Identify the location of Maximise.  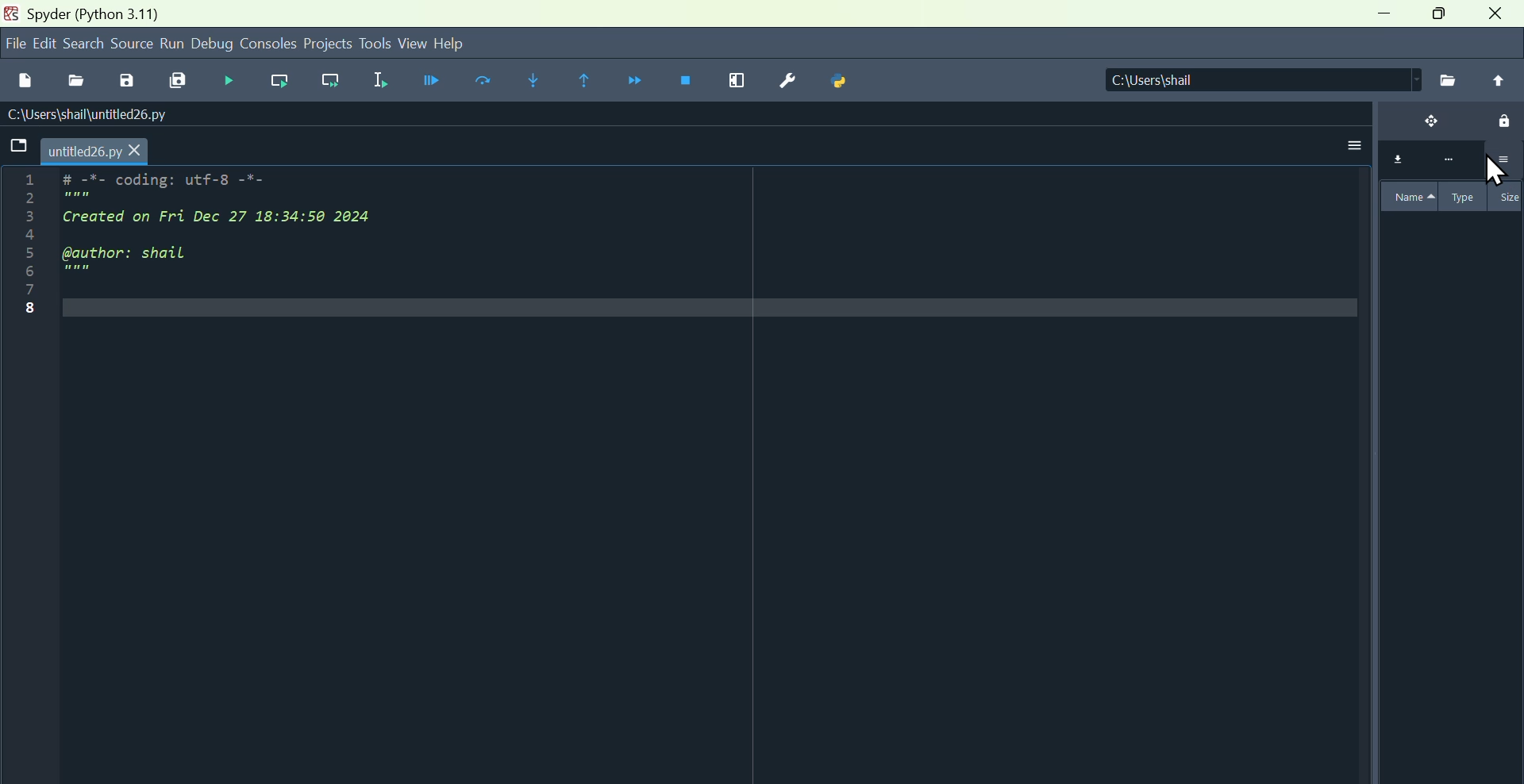
(1441, 18).